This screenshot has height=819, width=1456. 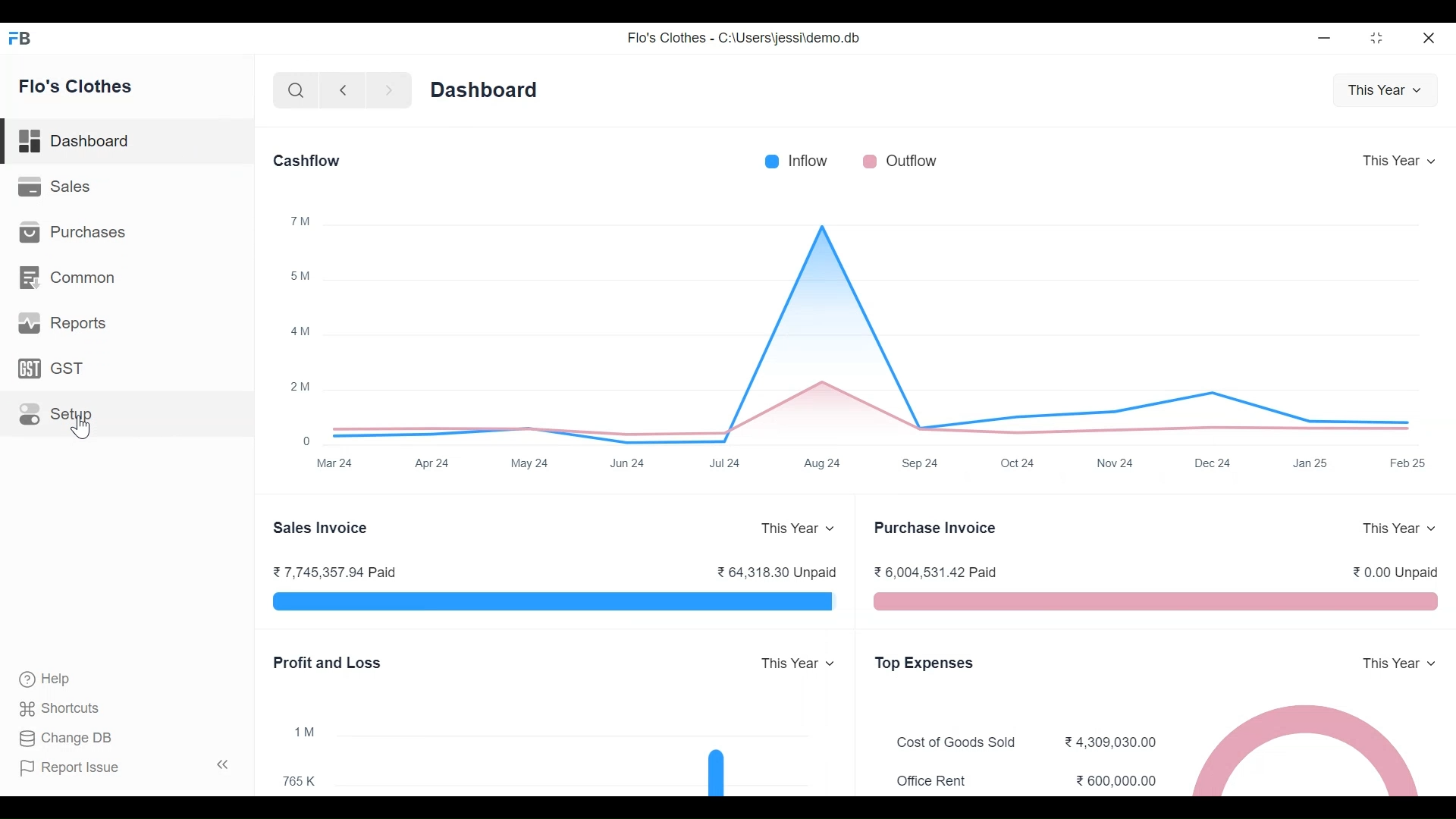 What do you see at coordinates (1409, 463) in the screenshot?
I see `feb 25` at bounding box center [1409, 463].